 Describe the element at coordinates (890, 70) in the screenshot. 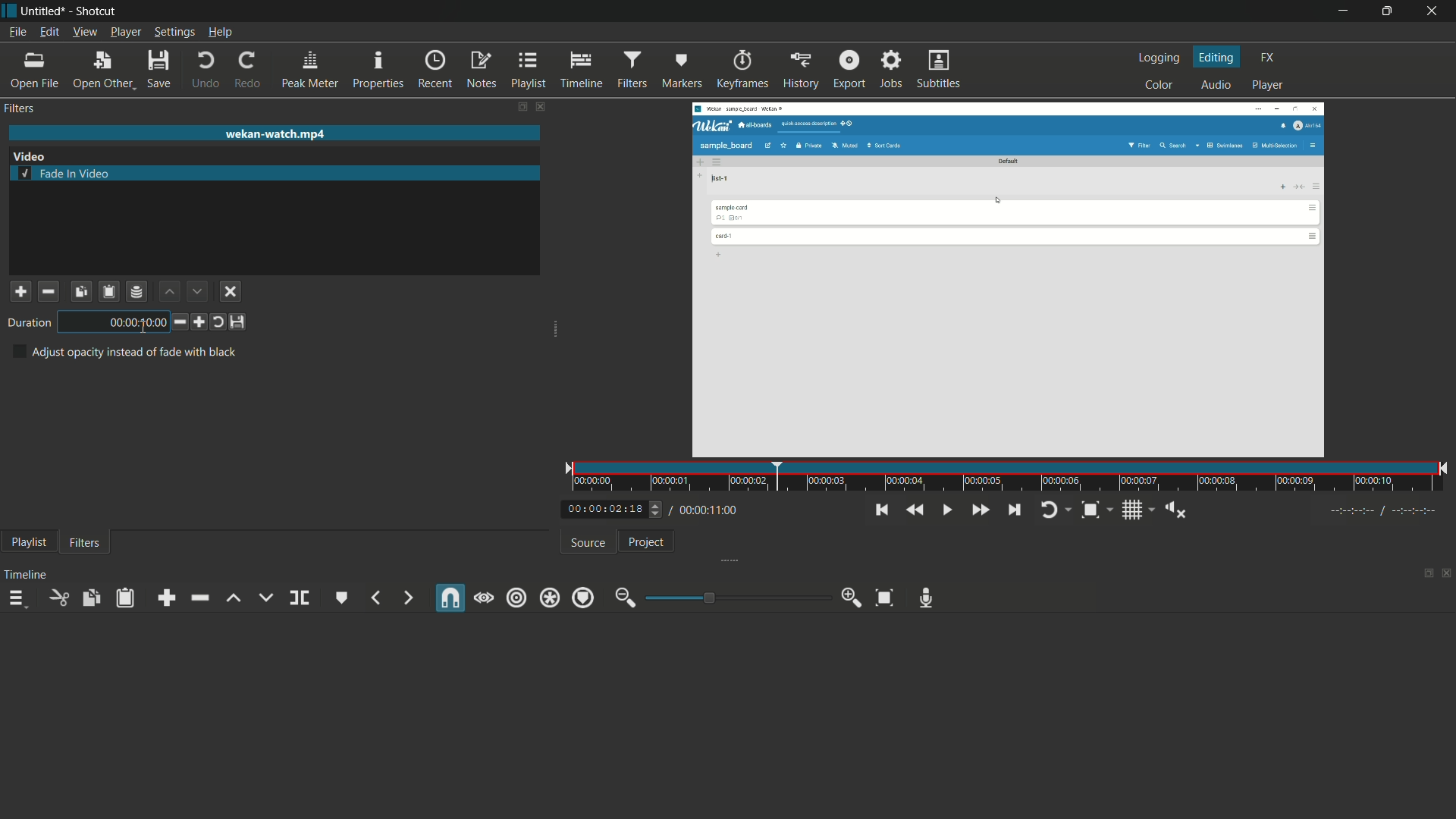

I see `jobs` at that location.